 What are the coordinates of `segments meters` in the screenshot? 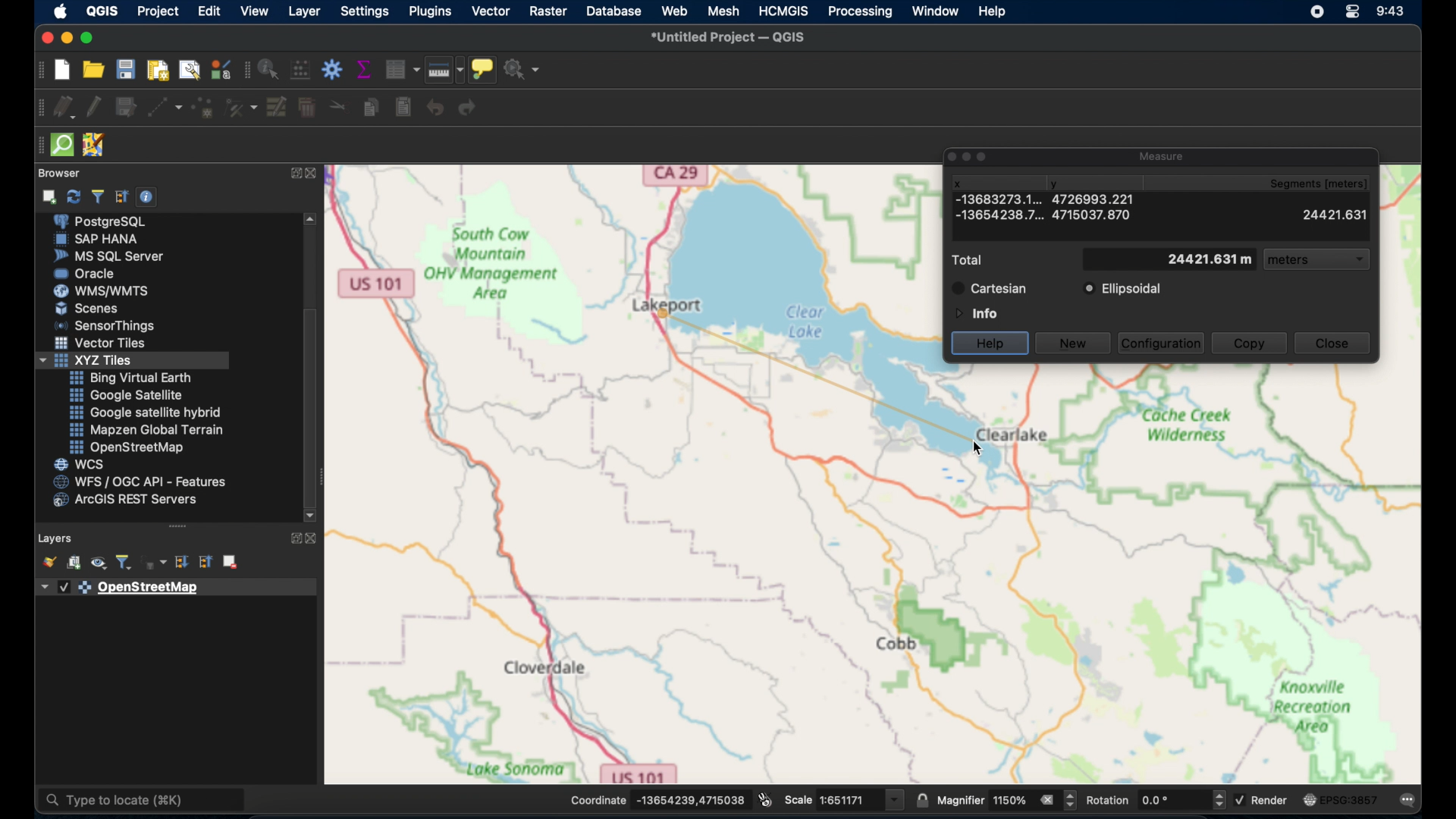 It's located at (1326, 184).